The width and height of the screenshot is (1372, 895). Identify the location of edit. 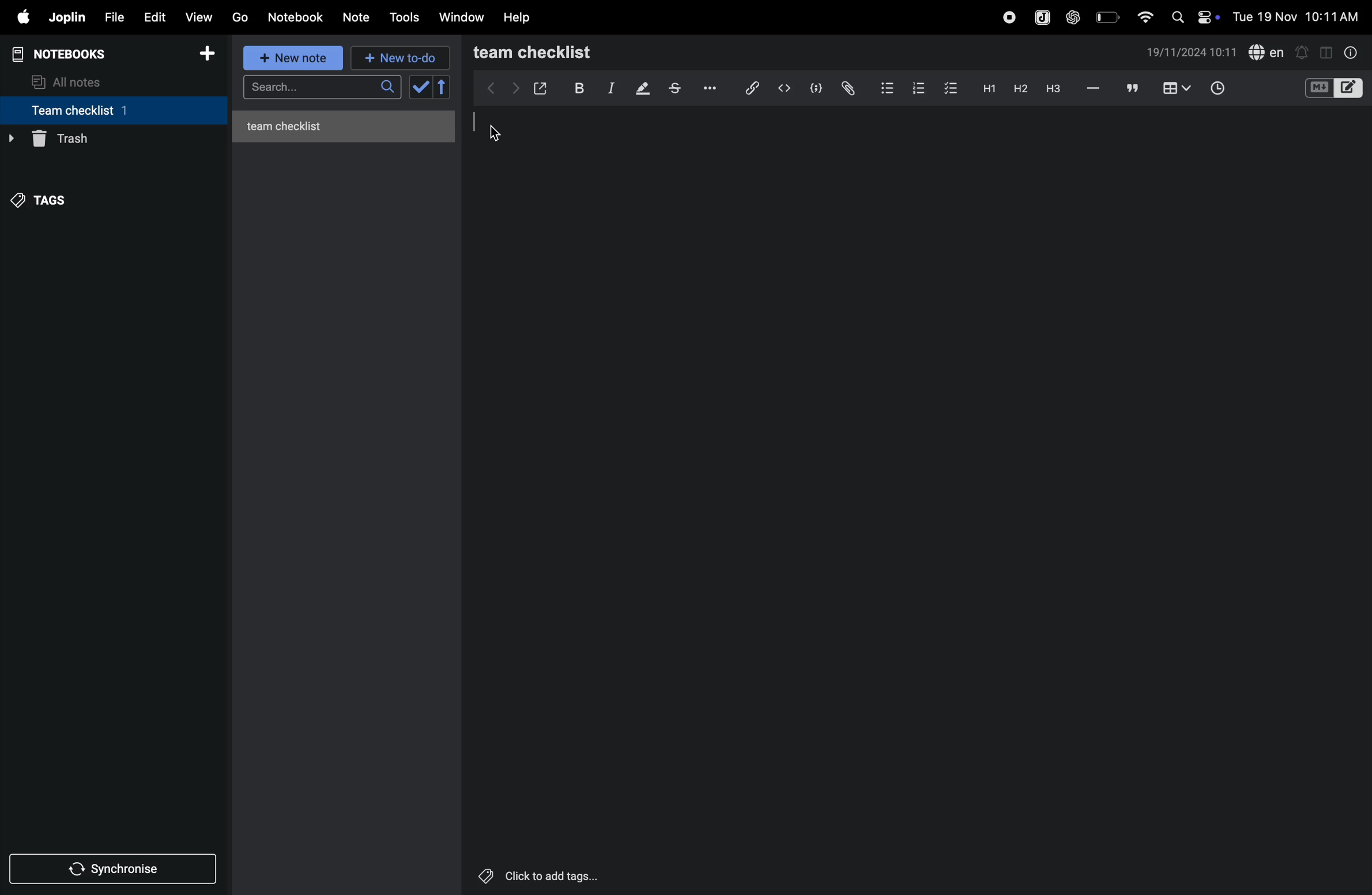
(154, 16).